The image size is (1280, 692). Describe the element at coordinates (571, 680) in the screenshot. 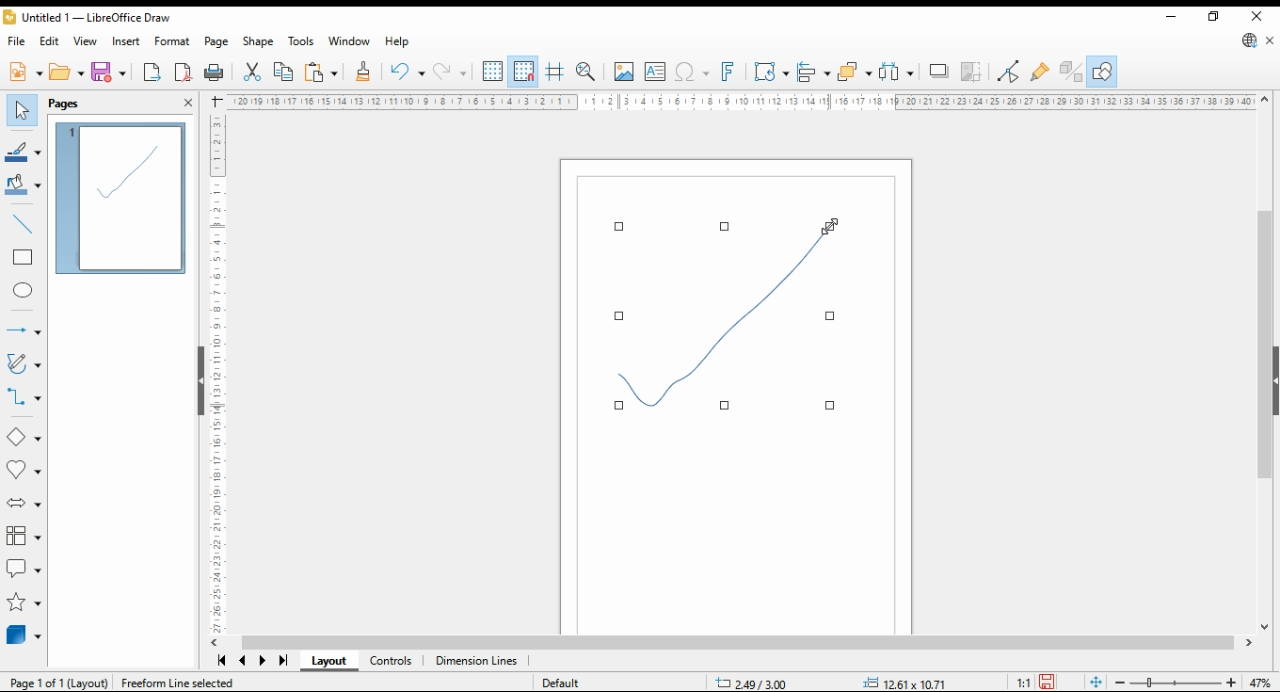

I see `Default` at that location.